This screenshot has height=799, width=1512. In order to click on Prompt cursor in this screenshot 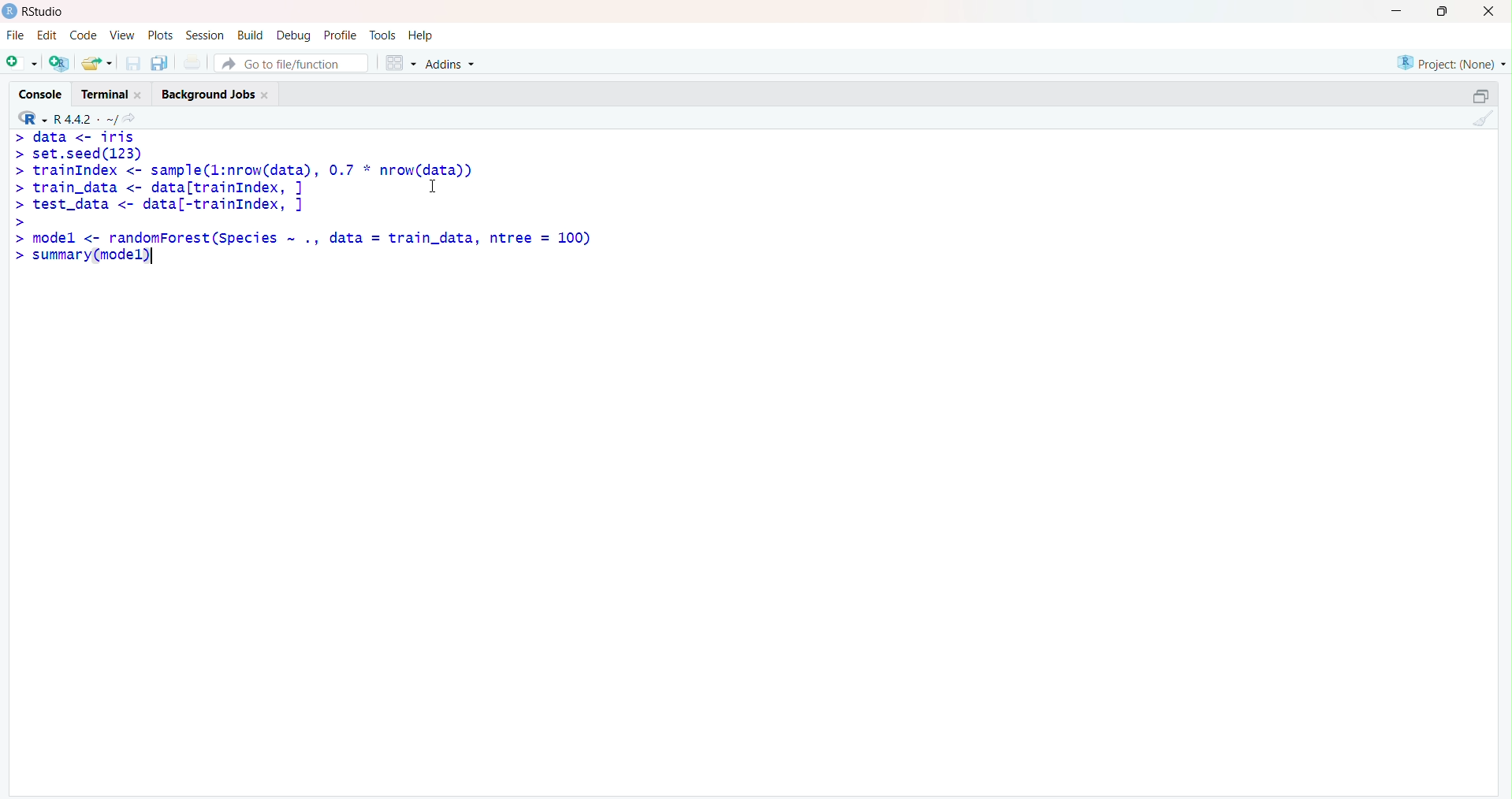, I will do `click(19, 188)`.